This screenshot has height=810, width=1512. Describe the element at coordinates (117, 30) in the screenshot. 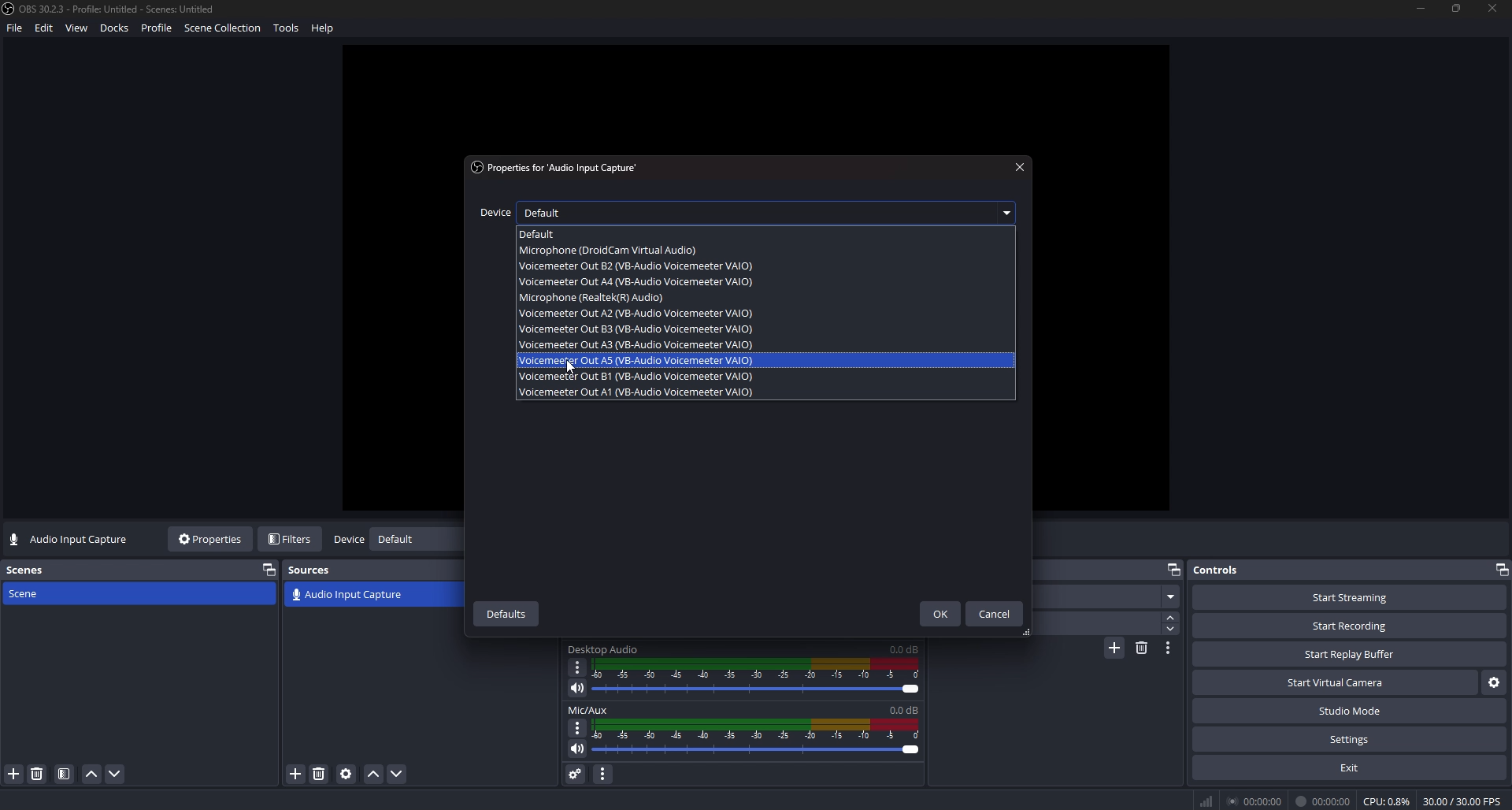

I see `Docks` at that location.